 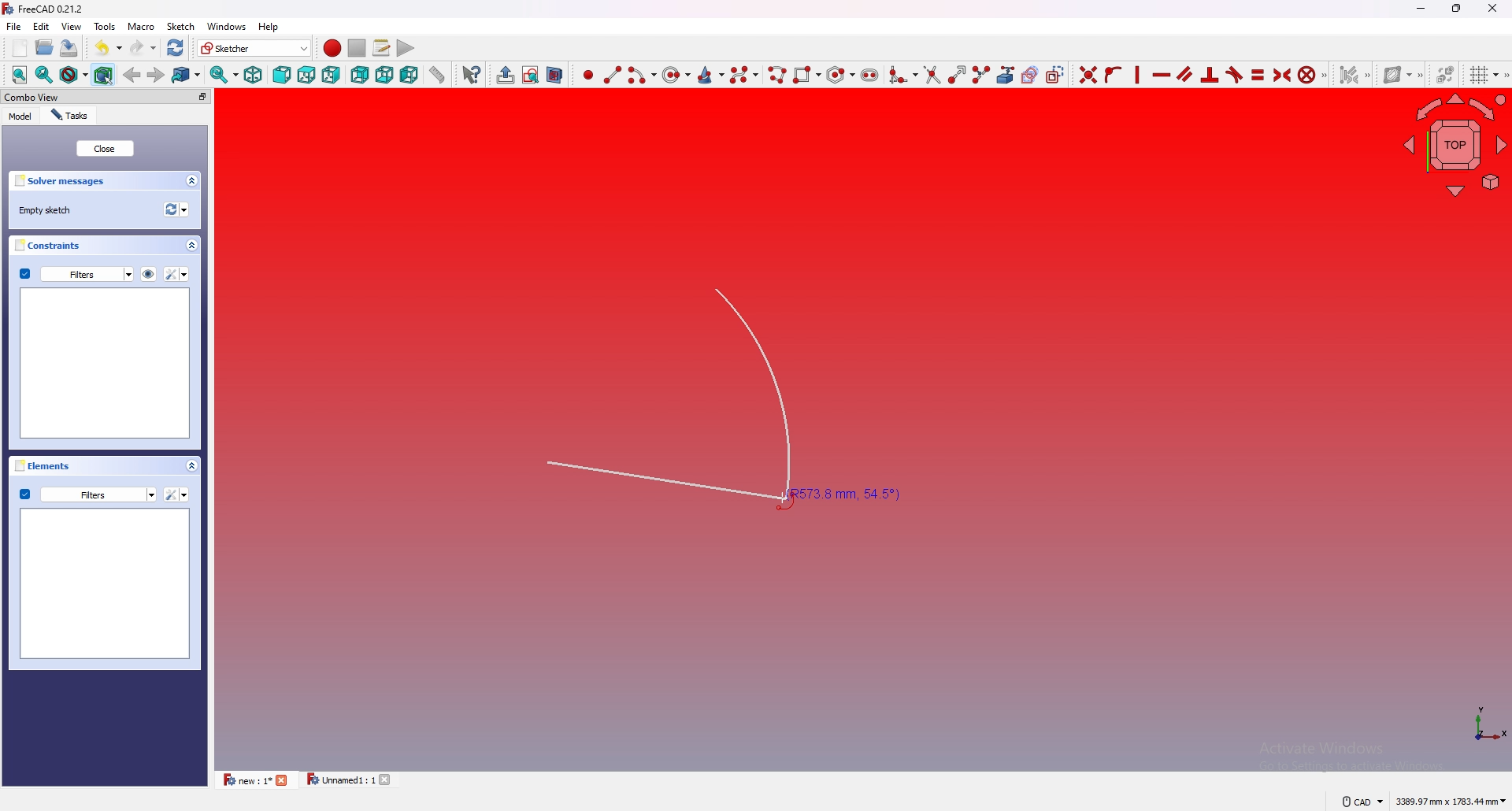 What do you see at coordinates (104, 148) in the screenshot?
I see `close` at bounding box center [104, 148].